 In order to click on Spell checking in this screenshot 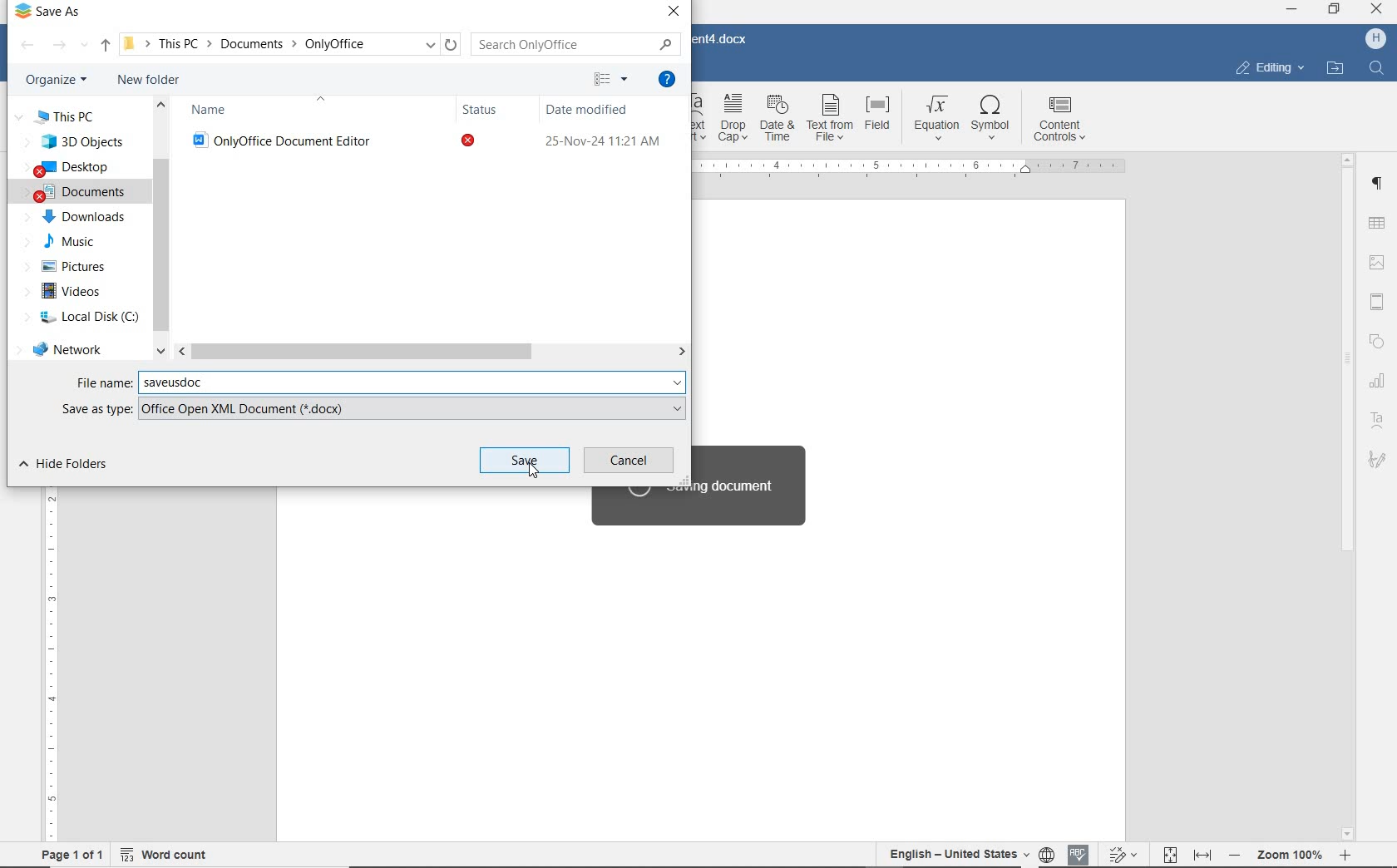, I will do `click(1082, 854)`.